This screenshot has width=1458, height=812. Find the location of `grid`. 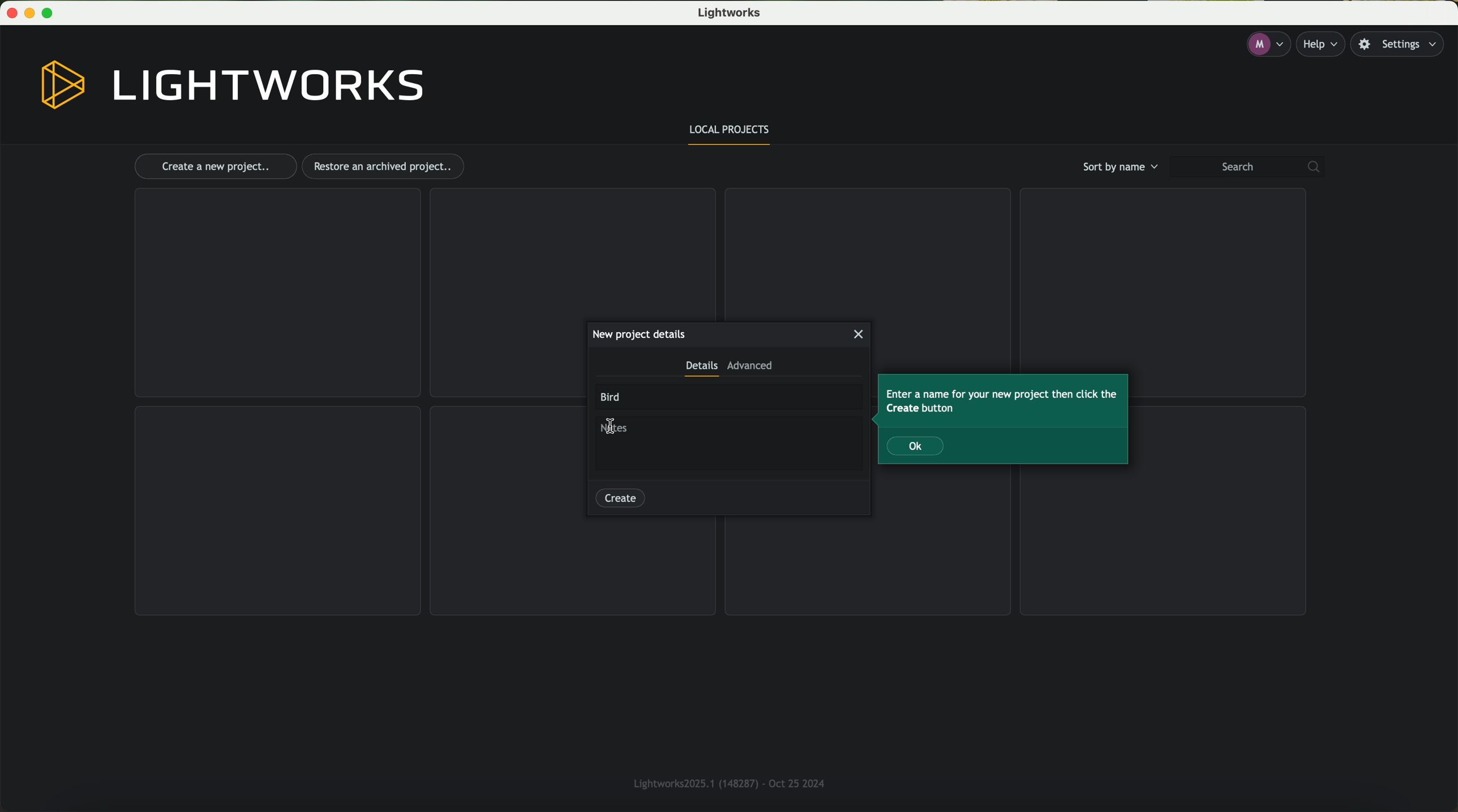

grid is located at coordinates (1164, 543).